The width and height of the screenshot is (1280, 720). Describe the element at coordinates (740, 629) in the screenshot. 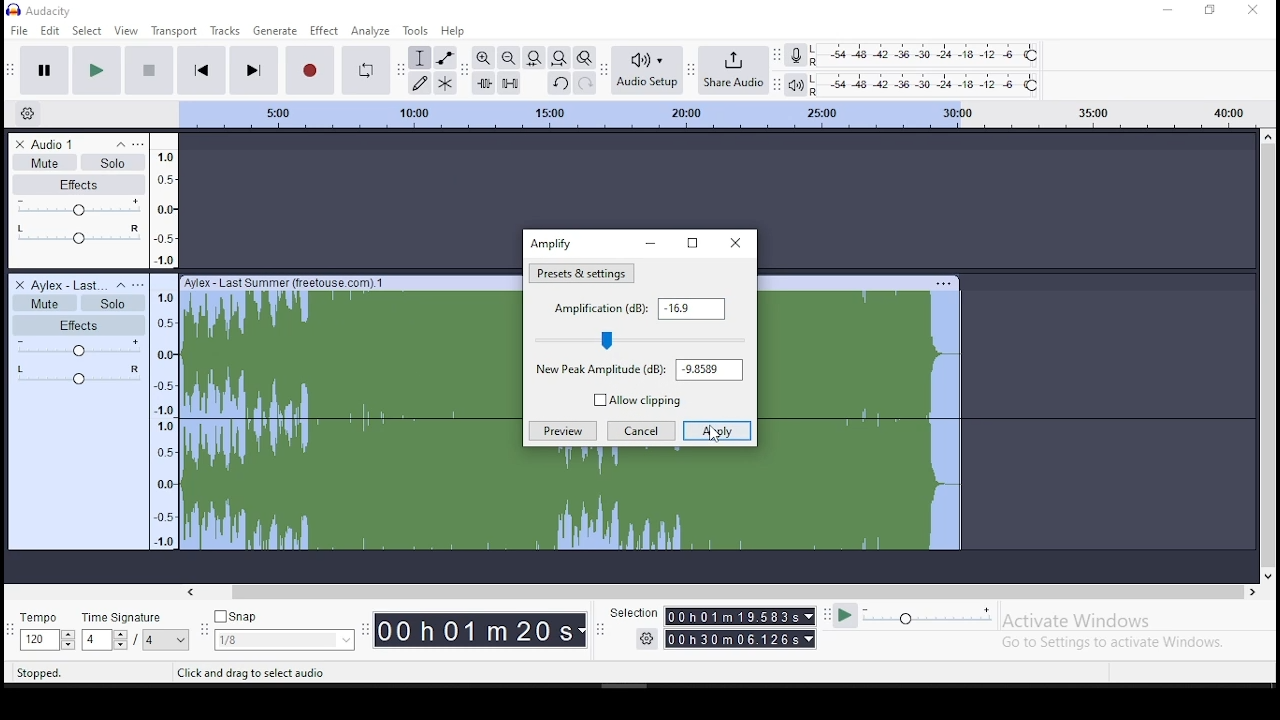

I see `time` at that location.